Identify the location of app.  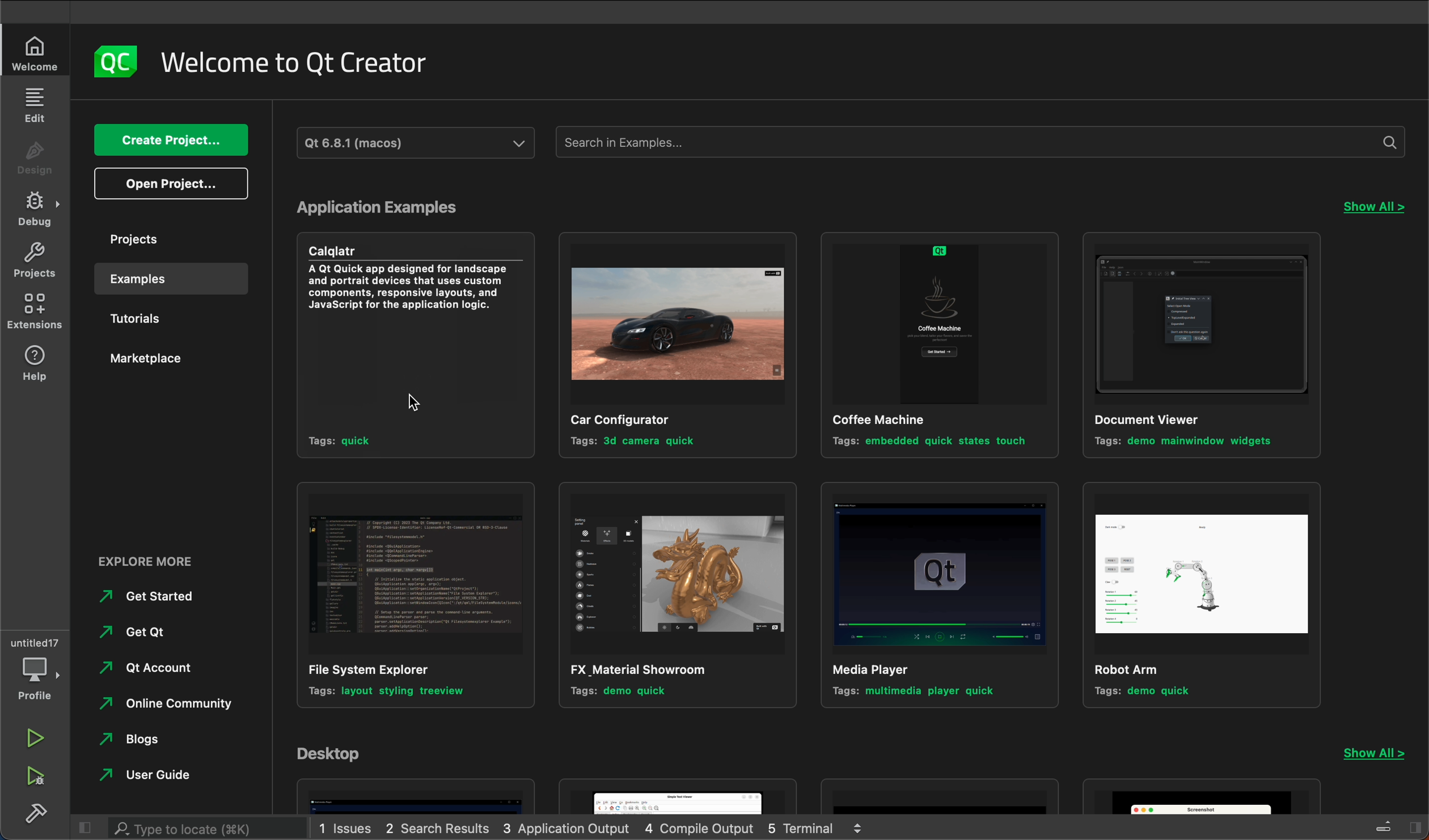
(416, 796).